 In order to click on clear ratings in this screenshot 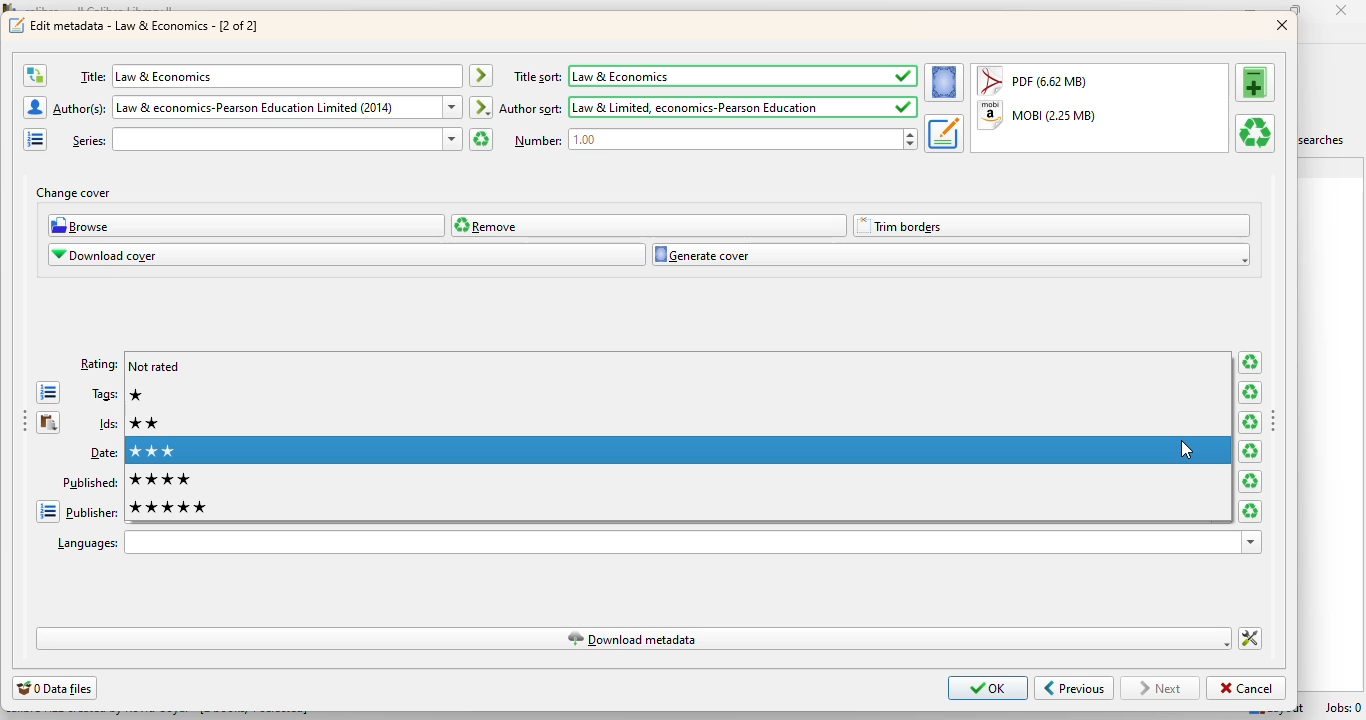, I will do `click(1250, 363)`.